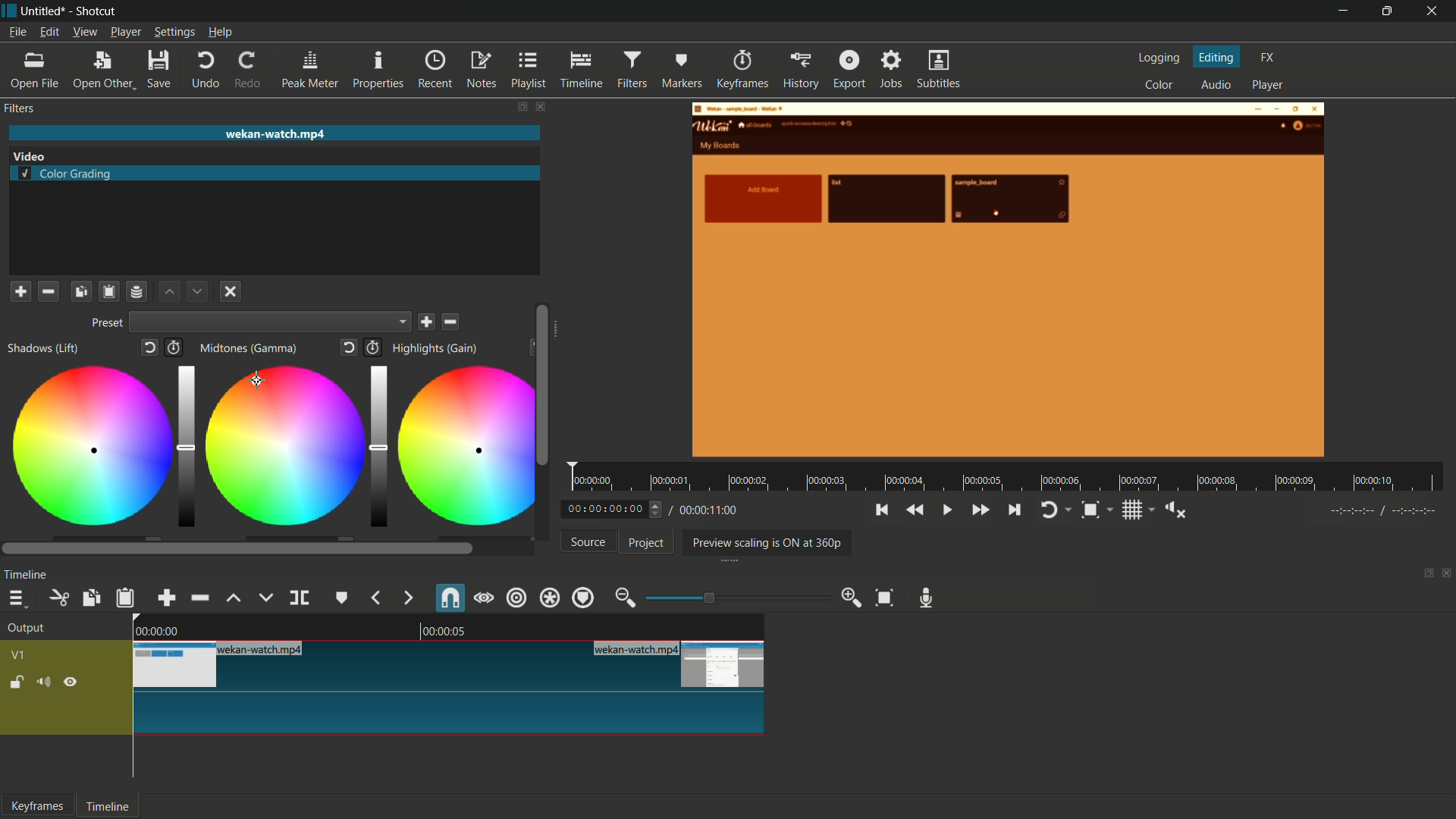  Describe the element at coordinates (270, 322) in the screenshot. I see `dropdown` at that location.